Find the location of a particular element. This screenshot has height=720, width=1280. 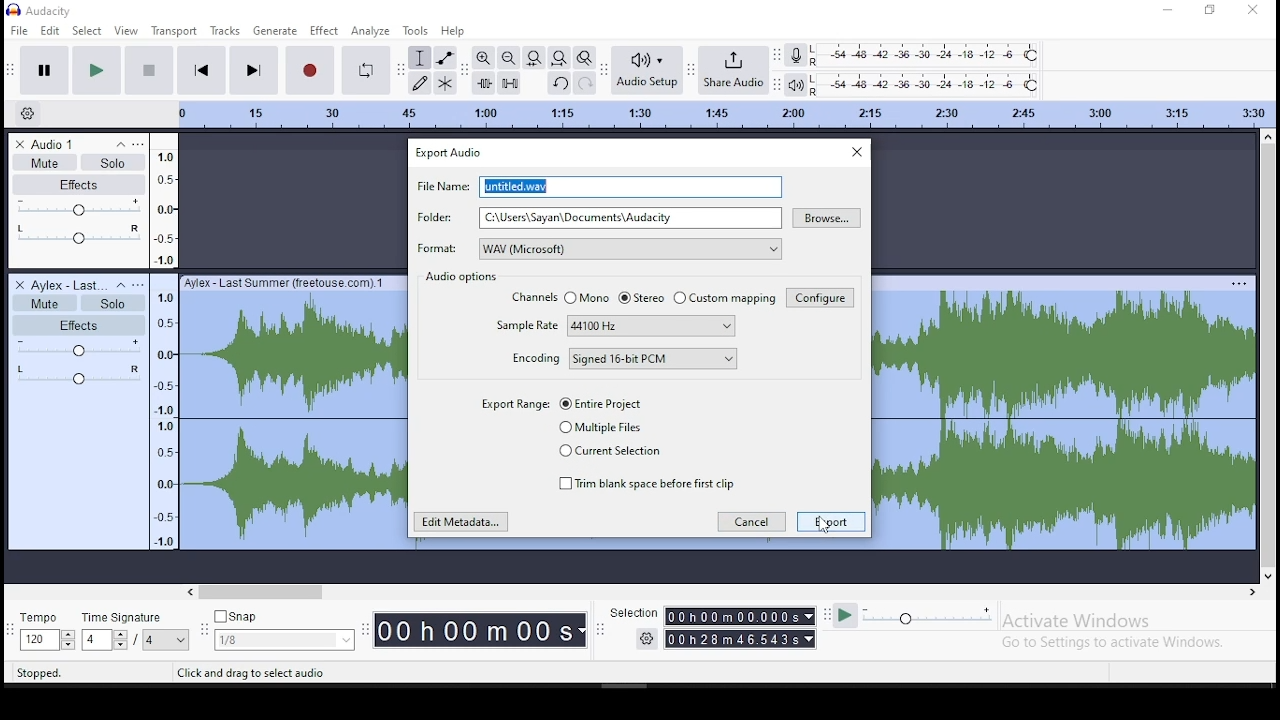

open menu is located at coordinates (141, 284).